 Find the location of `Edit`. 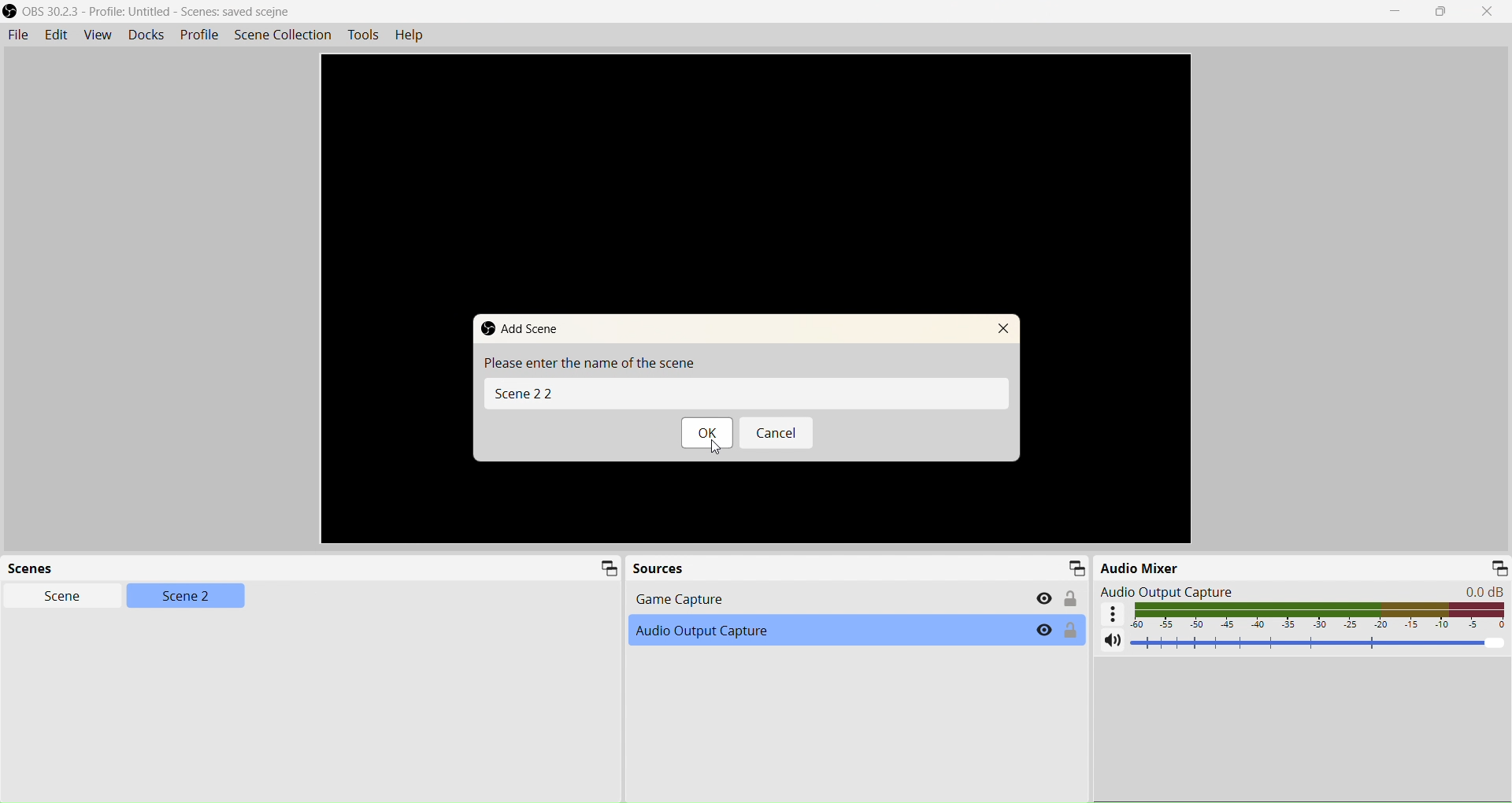

Edit is located at coordinates (54, 34).